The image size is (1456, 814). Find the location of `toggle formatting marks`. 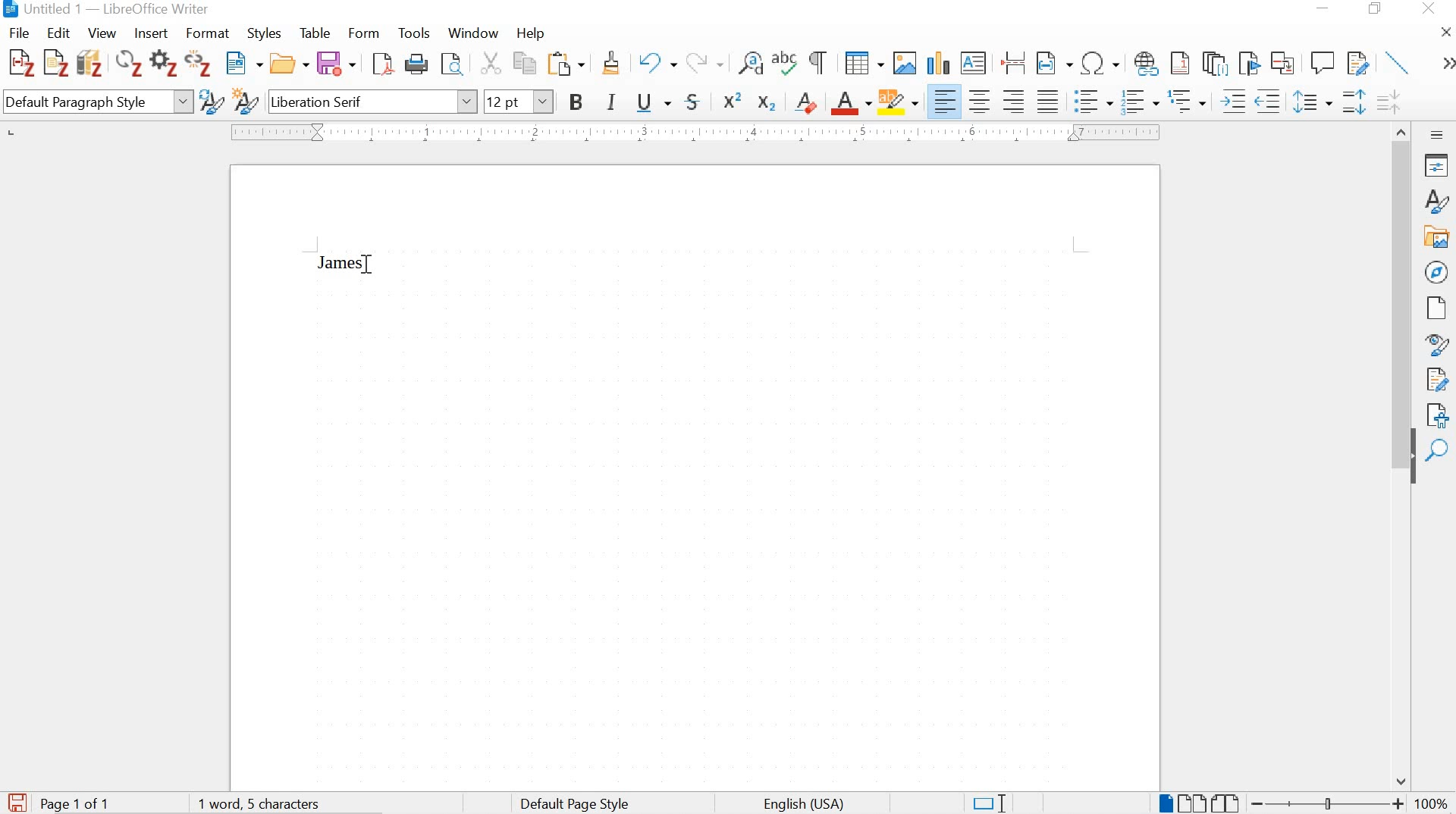

toggle formatting marks is located at coordinates (819, 62).